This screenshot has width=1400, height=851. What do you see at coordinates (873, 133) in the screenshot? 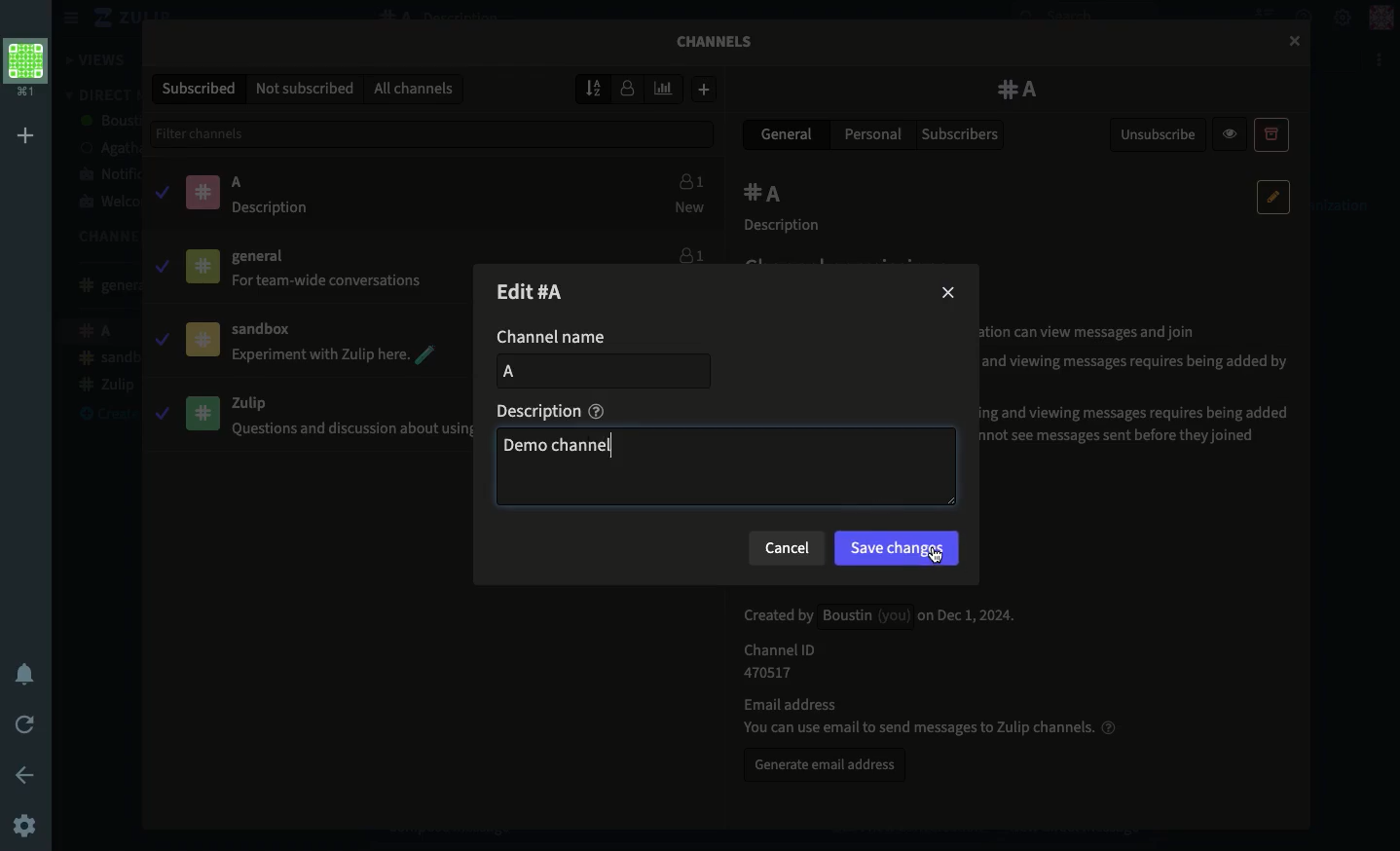
I see `Personal` at bounding box center [873, 133].